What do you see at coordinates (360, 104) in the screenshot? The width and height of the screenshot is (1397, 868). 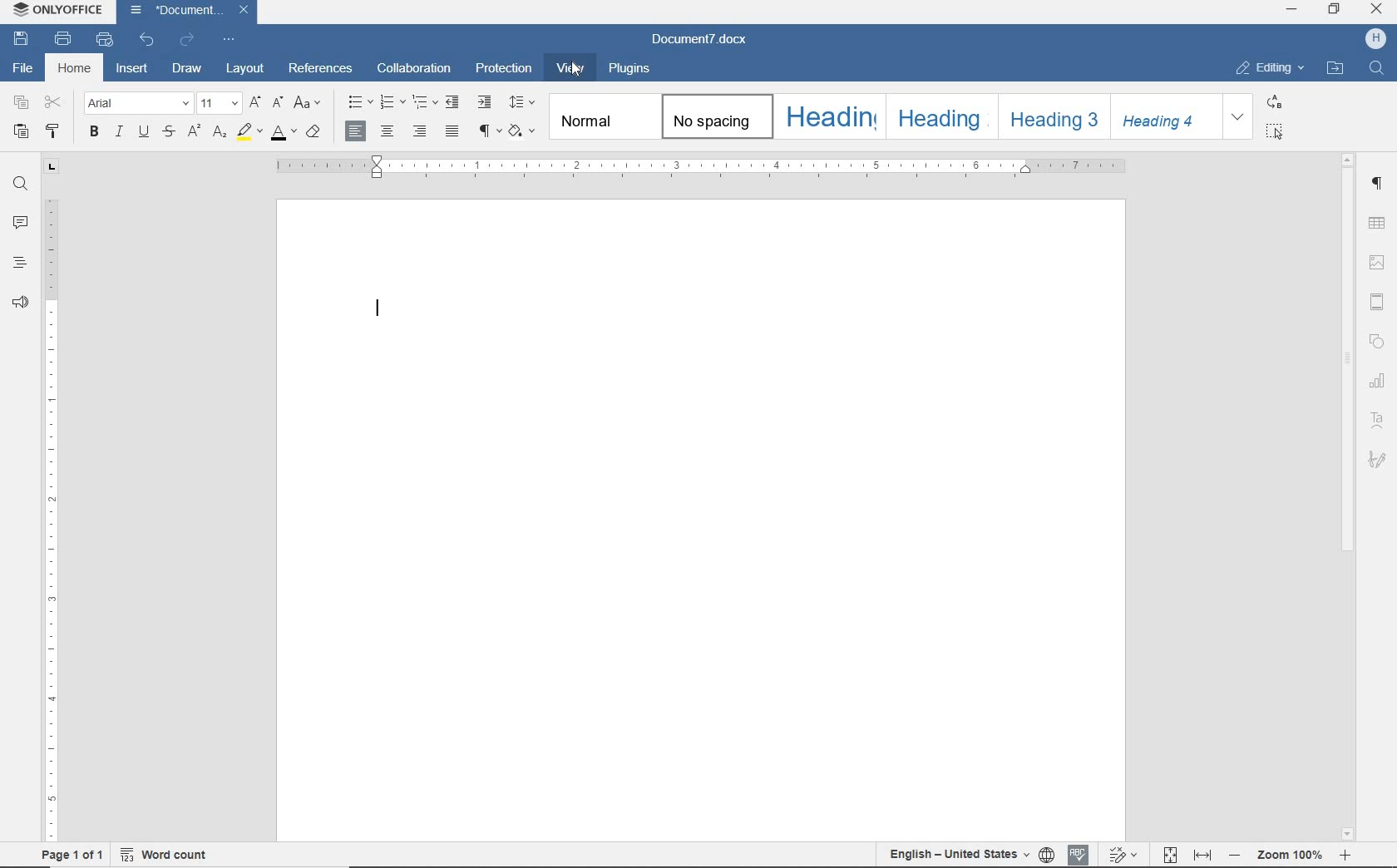 I see `BULLETS` at bounding box center [360, 104].